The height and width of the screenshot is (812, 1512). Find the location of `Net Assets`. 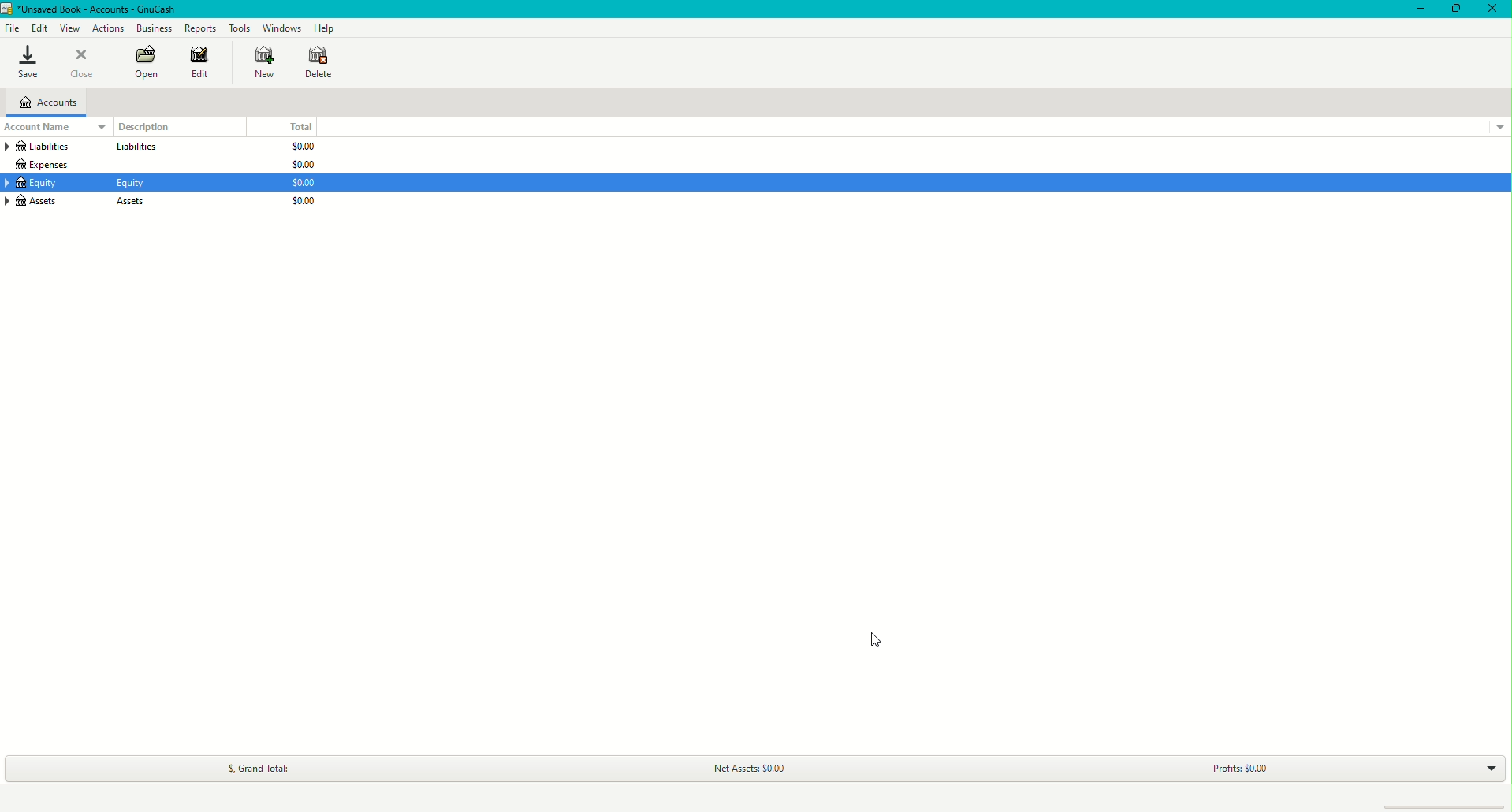

Net Assets is located at coordinates (746, 769).